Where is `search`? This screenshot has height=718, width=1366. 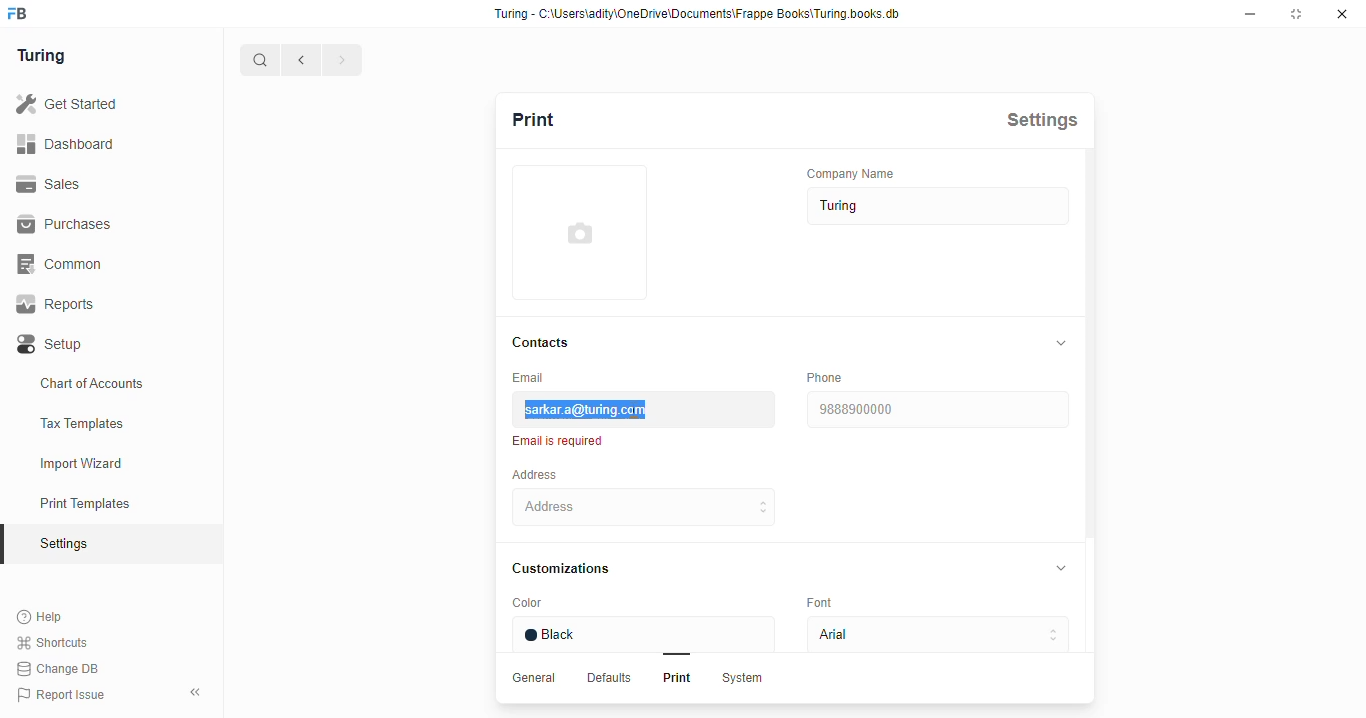 search is located at coordinates (261, 60).